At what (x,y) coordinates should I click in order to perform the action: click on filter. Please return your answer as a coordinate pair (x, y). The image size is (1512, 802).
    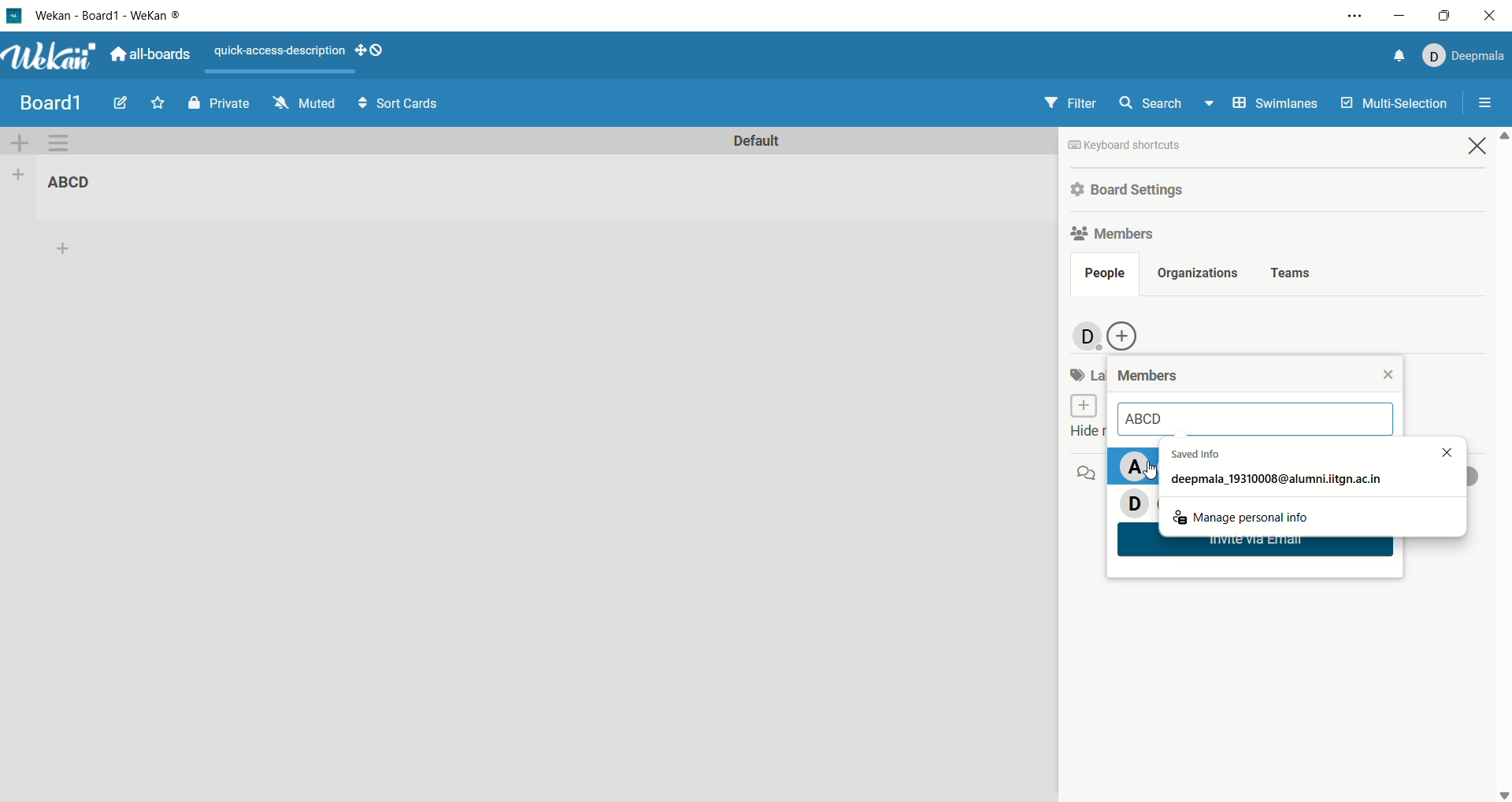
    Looking at the image, I should click on (1069, 102).